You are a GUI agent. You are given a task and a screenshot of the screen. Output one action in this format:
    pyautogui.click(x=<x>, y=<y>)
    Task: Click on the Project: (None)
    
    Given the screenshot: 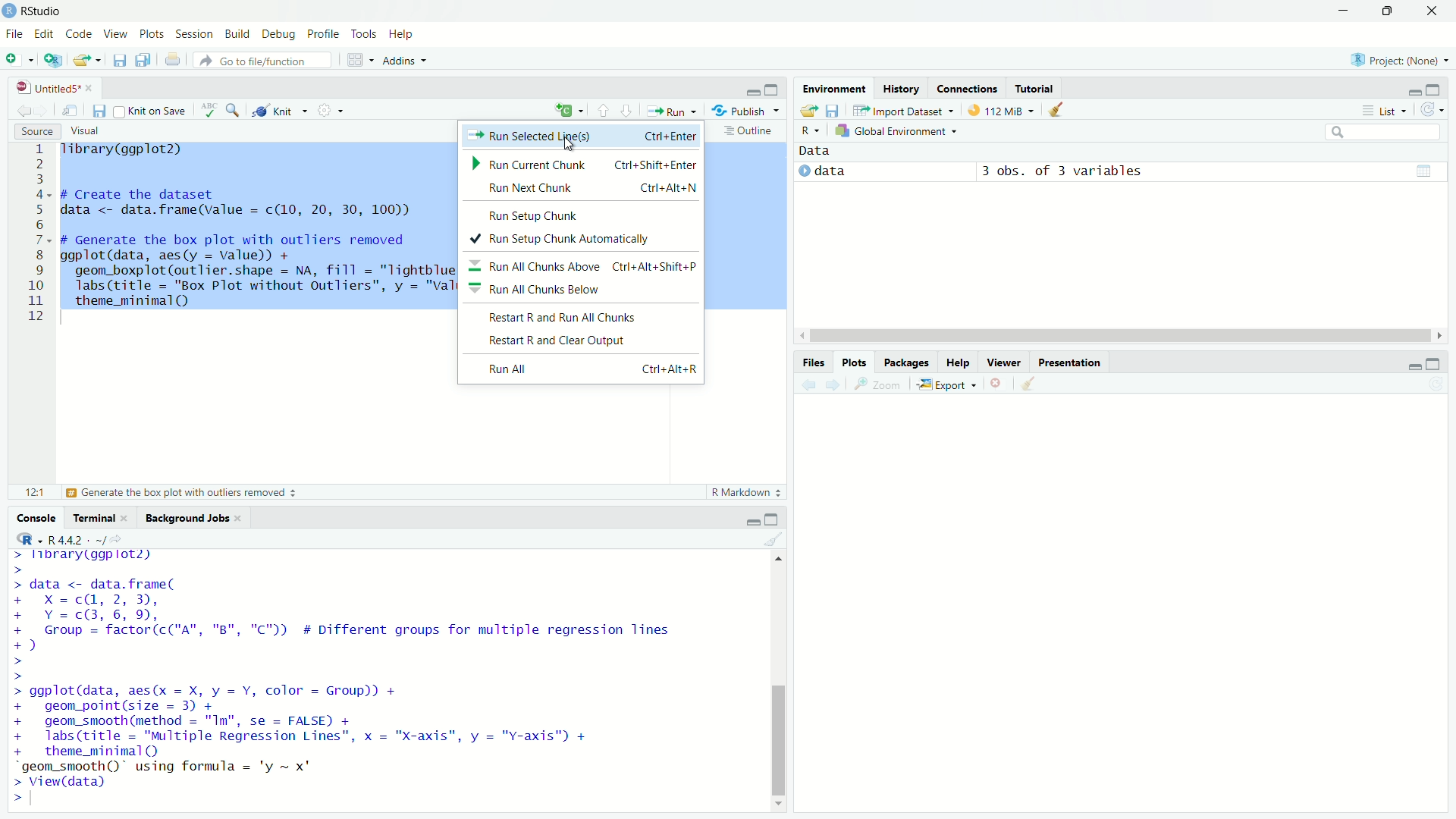 What is the action you would take?
    pyautogui.click(x=1401, y=61)
    